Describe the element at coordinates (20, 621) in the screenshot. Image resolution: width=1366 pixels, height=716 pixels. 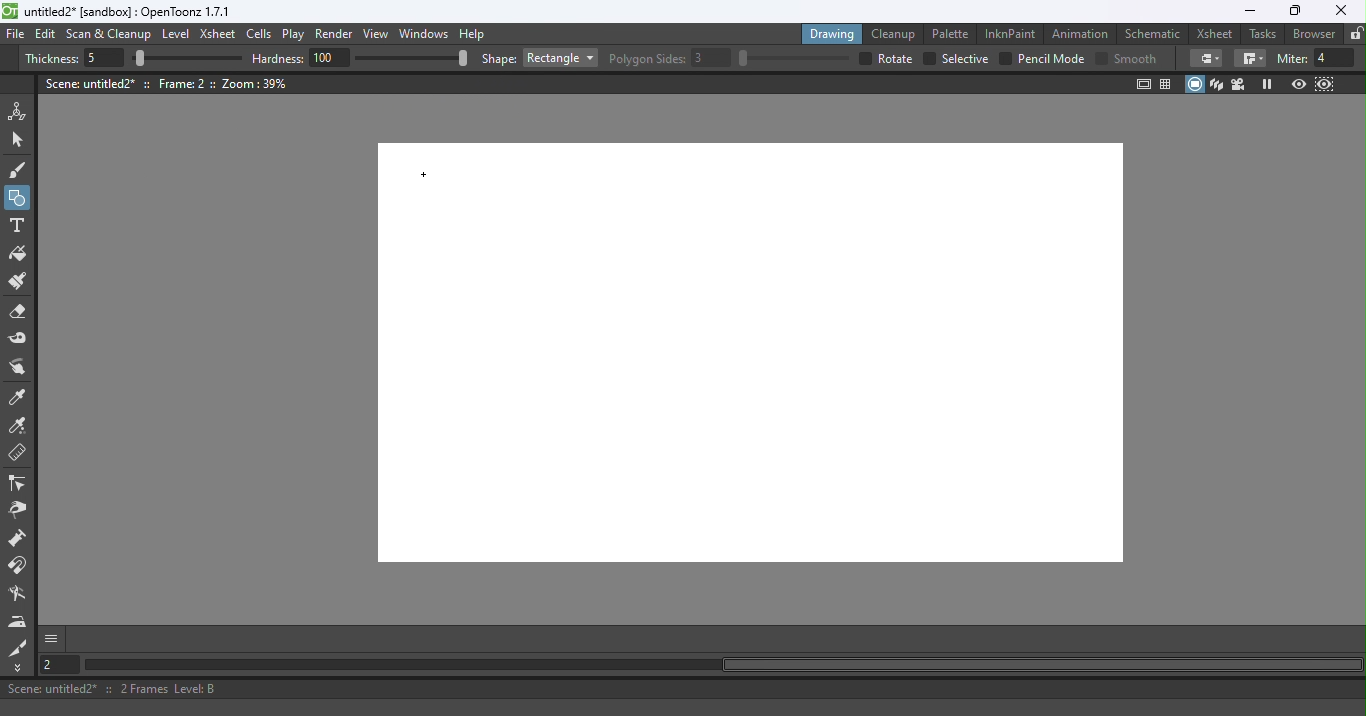
I see `Iron tool` at that location.